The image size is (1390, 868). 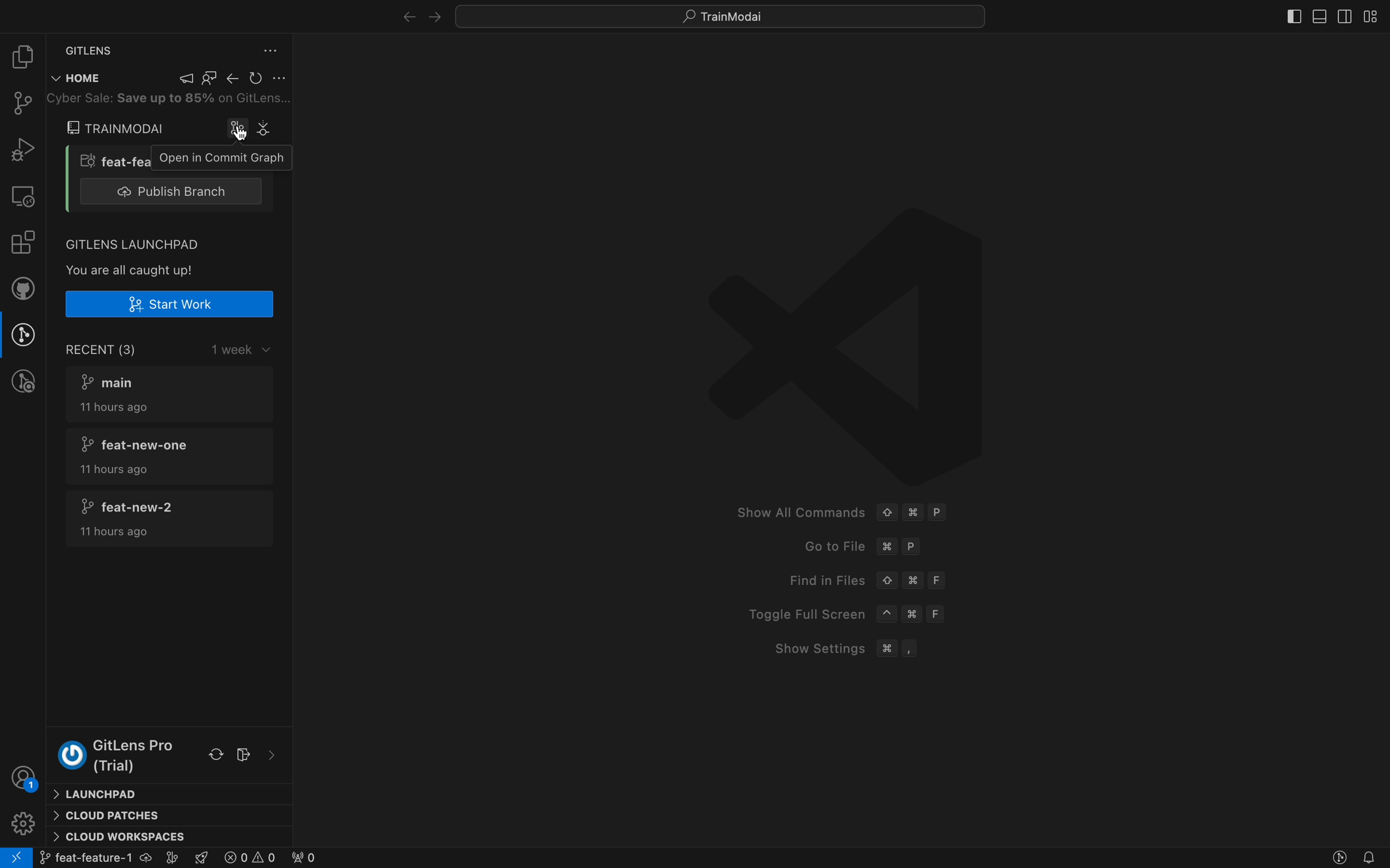 I want to click on Show Settings # ,, so click(x=847, y=648).